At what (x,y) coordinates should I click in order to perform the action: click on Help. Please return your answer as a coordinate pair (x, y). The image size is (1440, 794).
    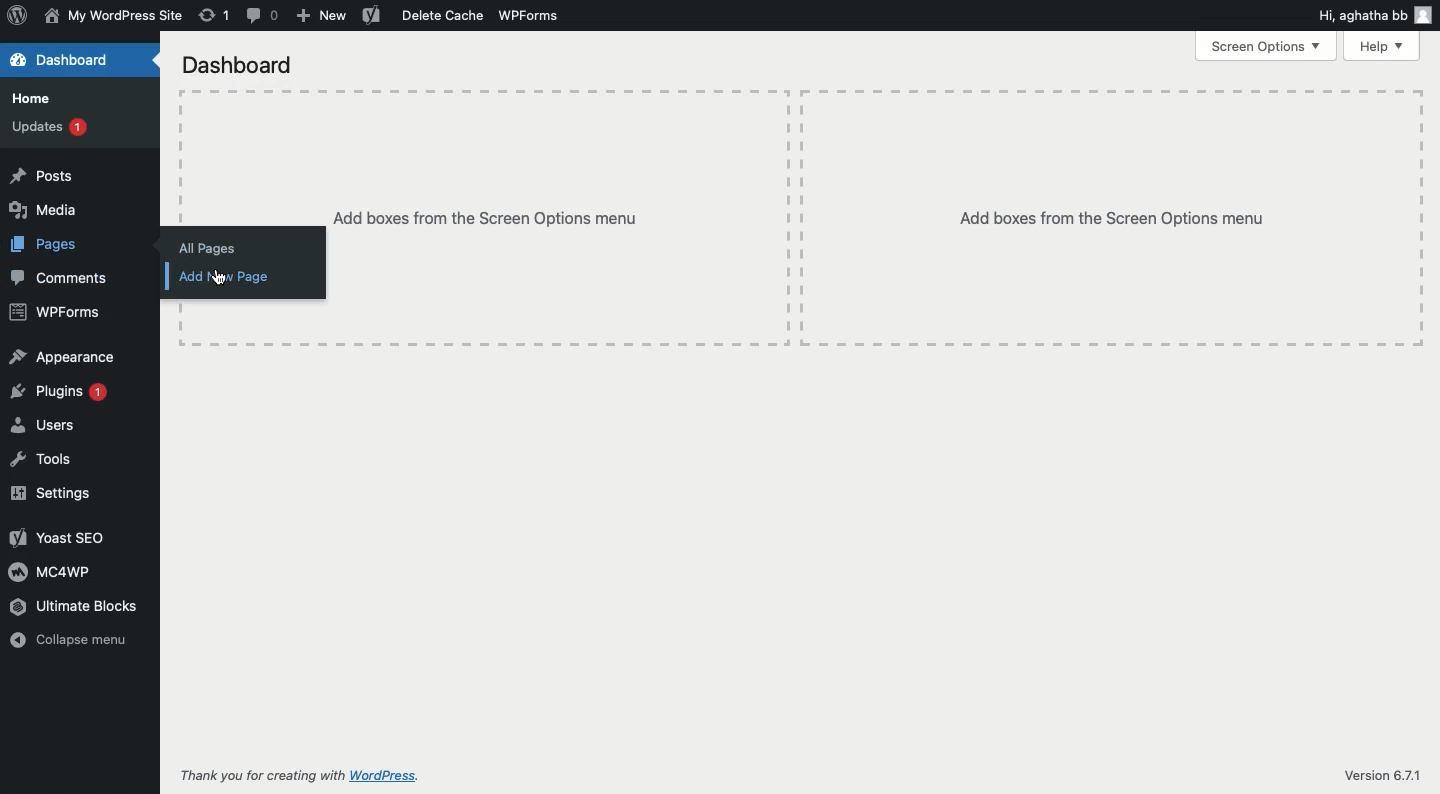
    Looking at the image, I should click on (1386, 46).